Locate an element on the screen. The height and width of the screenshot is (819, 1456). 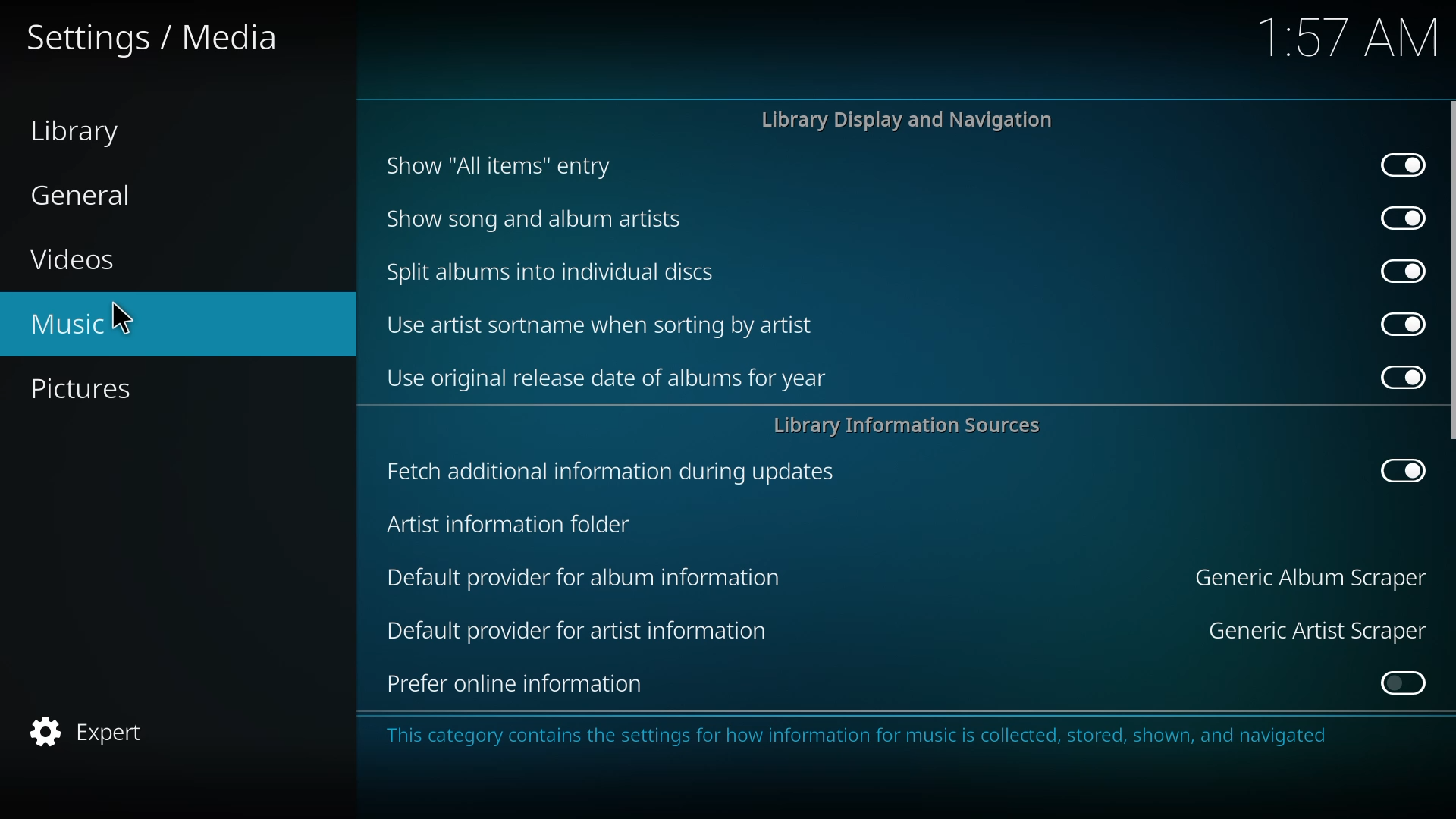
expert is located at coordinates (93, 730).